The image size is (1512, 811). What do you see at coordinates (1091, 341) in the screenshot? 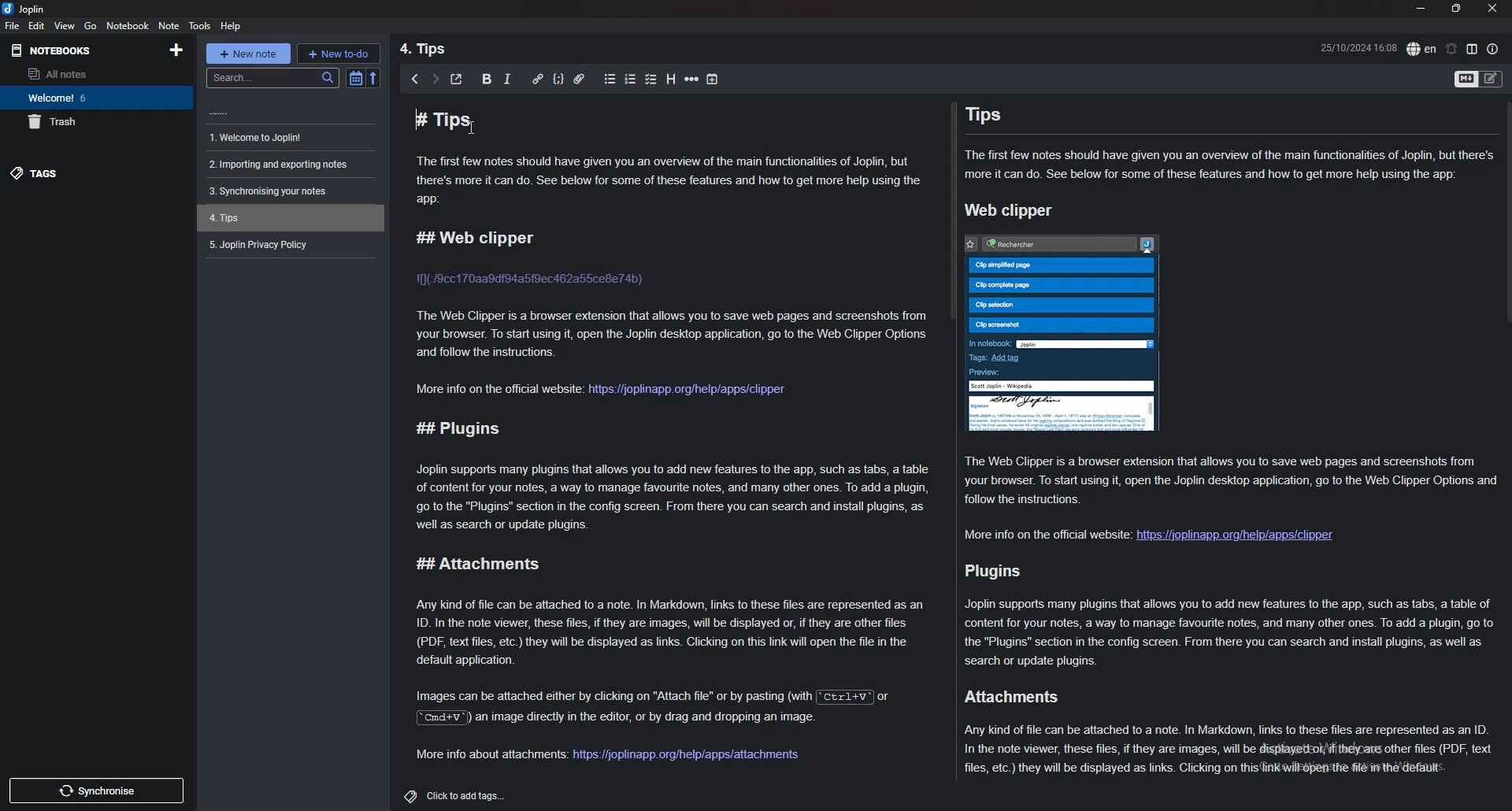
I see `Joplin` at bounding box center [1091, 341].